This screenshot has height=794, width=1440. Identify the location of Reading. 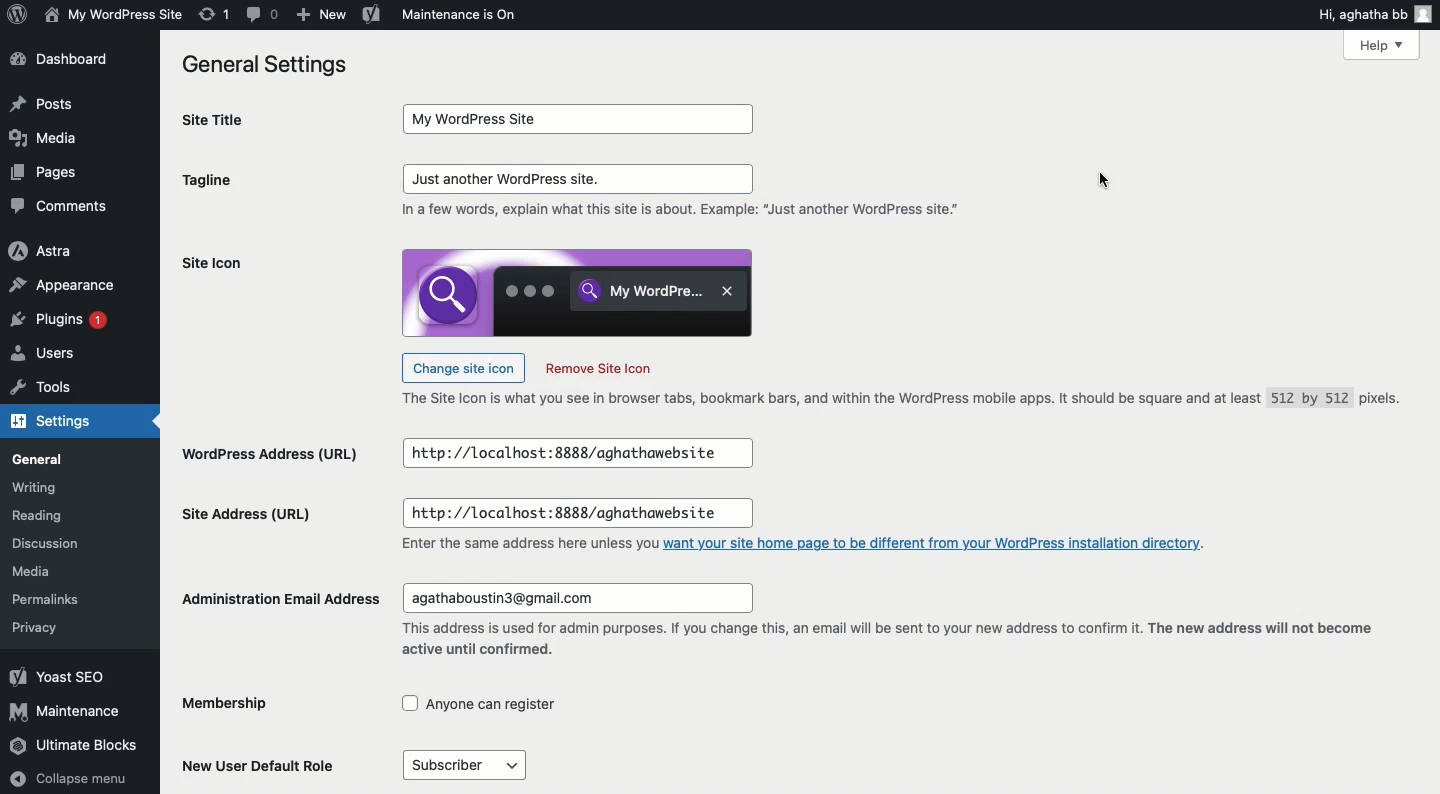
(43, 517).